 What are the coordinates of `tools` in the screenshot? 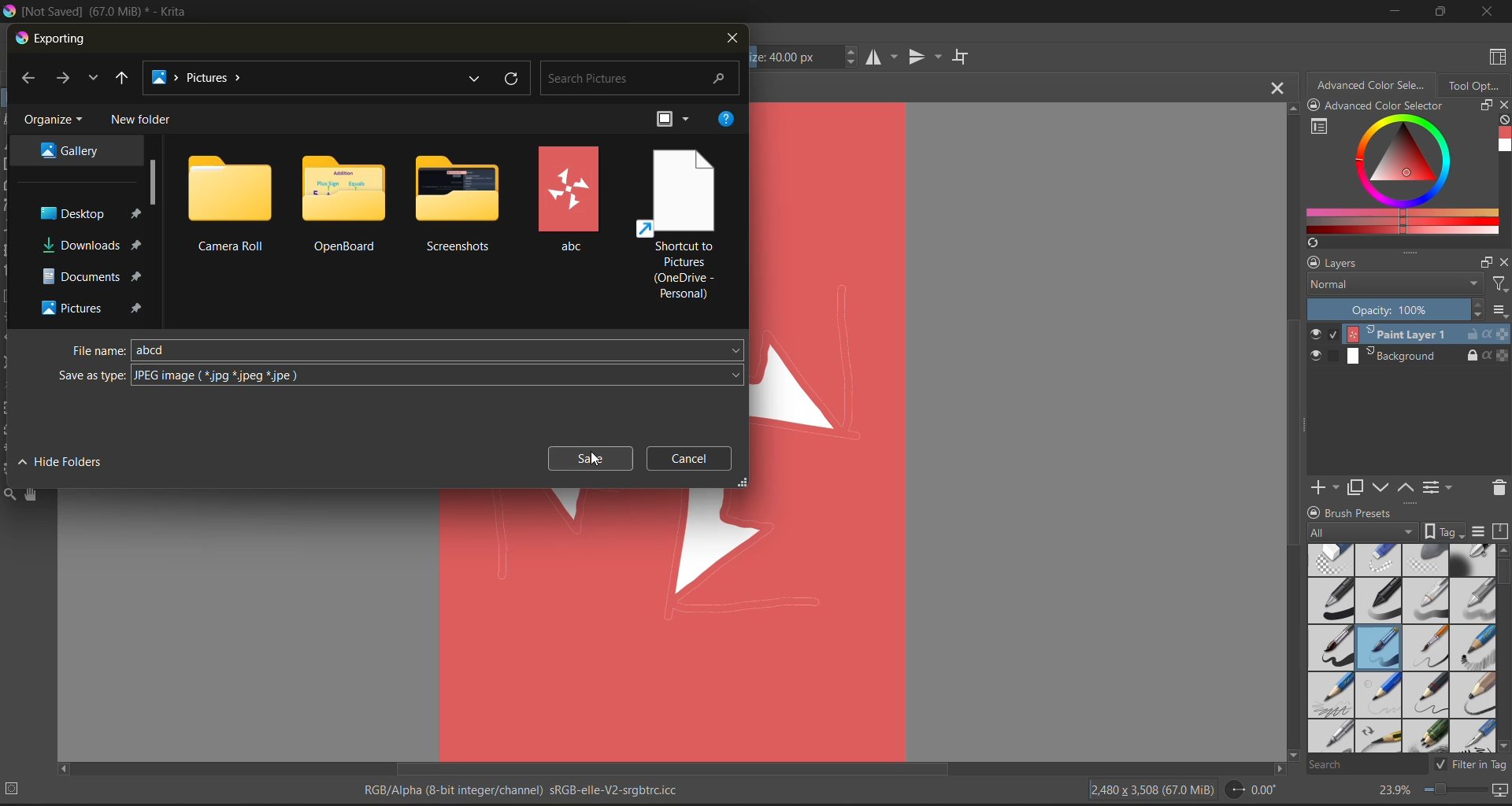 It's located at (9, 493).